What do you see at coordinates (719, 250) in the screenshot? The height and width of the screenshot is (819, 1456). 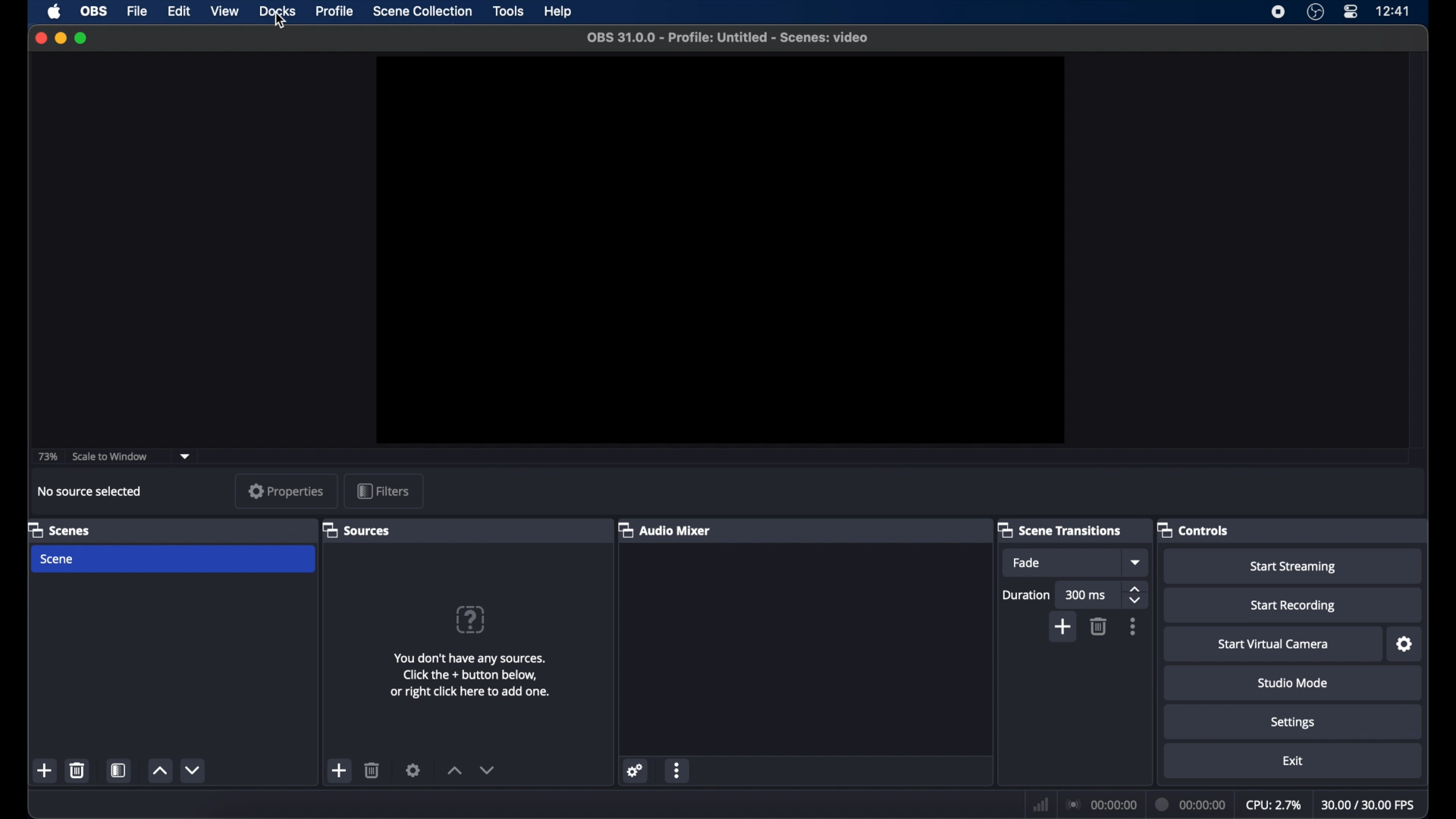 I see `preview` at bounding box center [719, 250].